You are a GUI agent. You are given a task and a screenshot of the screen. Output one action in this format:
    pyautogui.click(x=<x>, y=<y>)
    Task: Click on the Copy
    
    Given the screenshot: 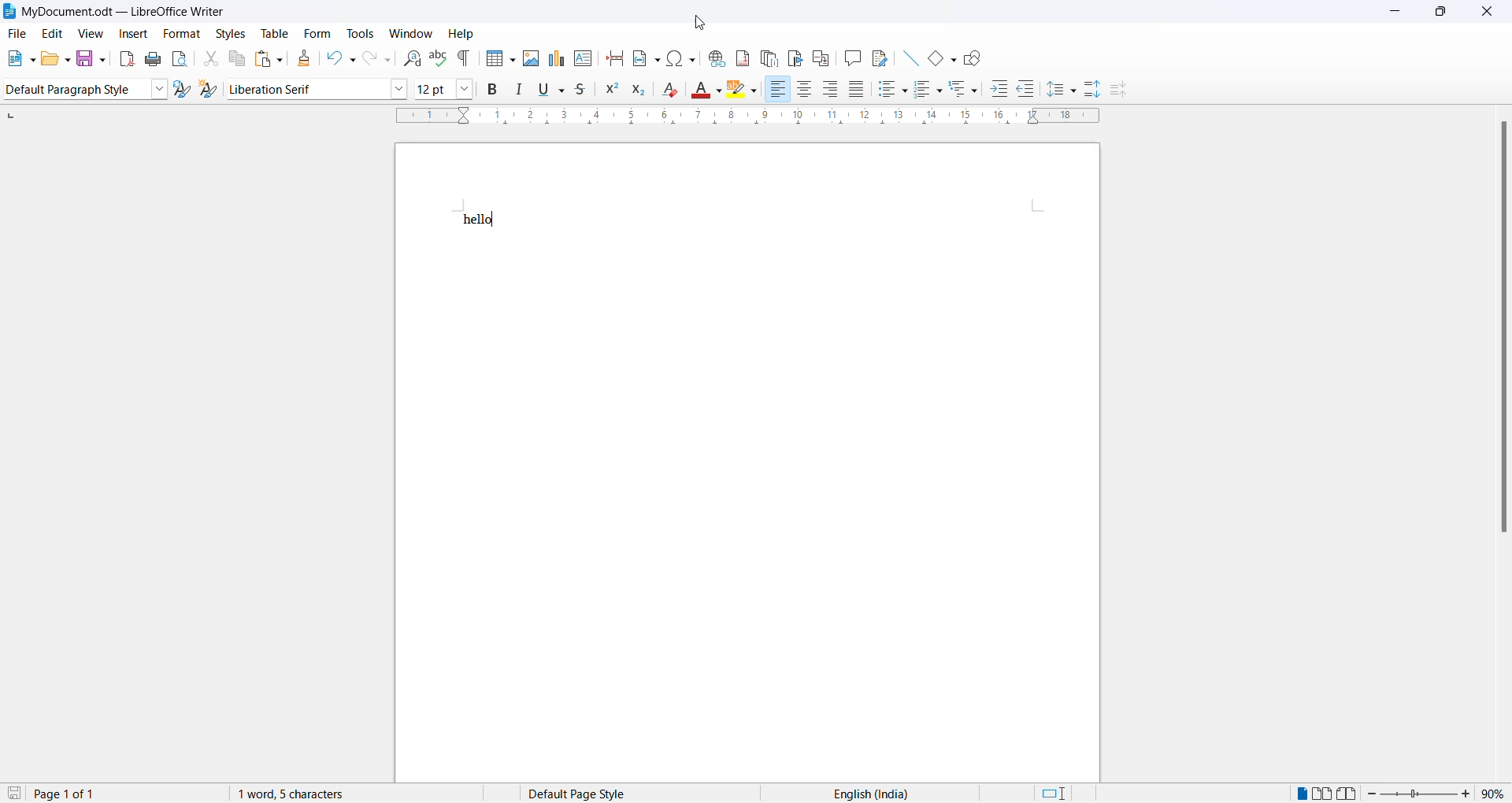 What is the action you would take?
    pyautogui.click(x=235, y=59)
    